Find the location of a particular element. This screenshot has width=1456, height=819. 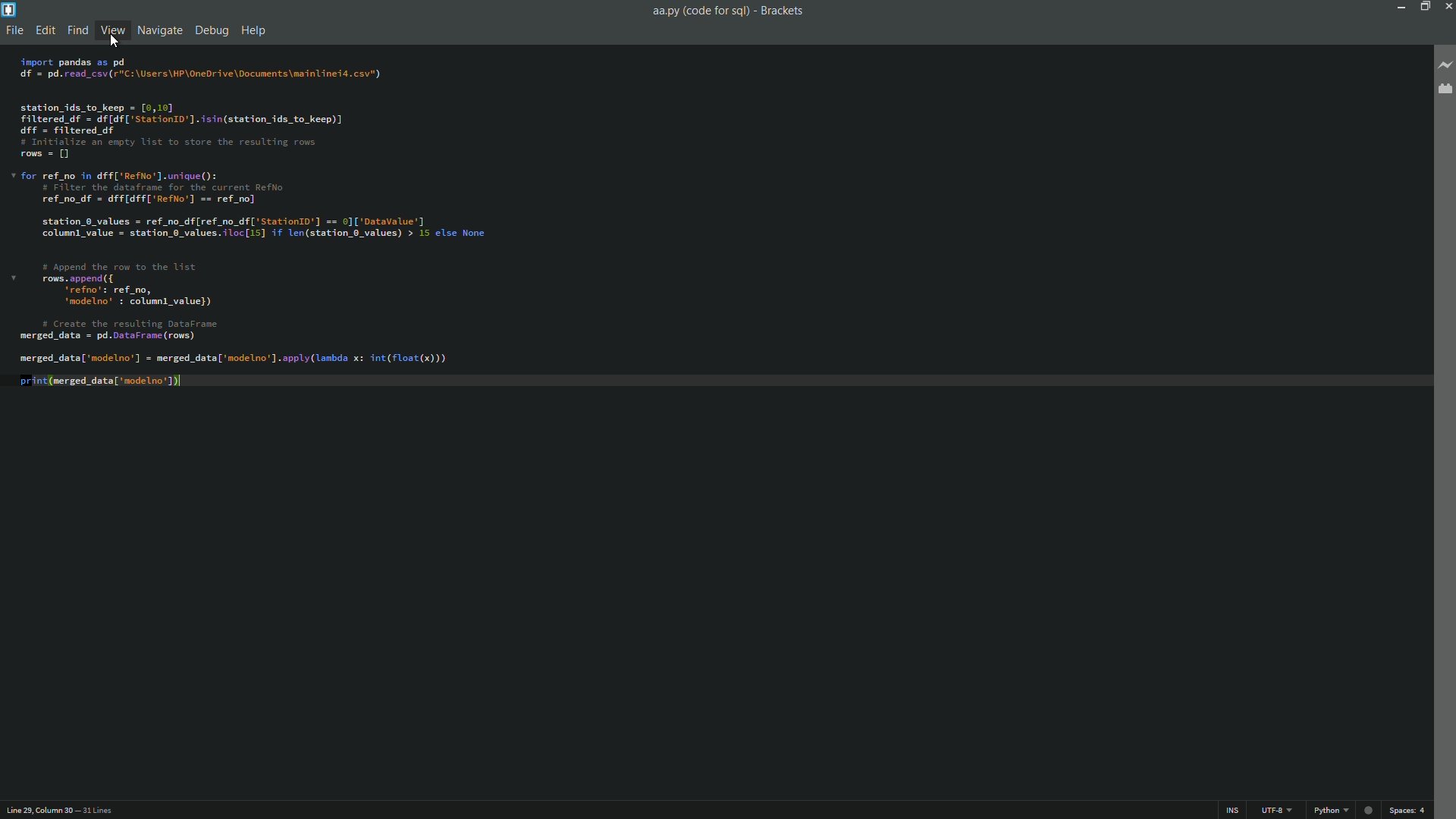

cursor is located at coordinates (114, 42).